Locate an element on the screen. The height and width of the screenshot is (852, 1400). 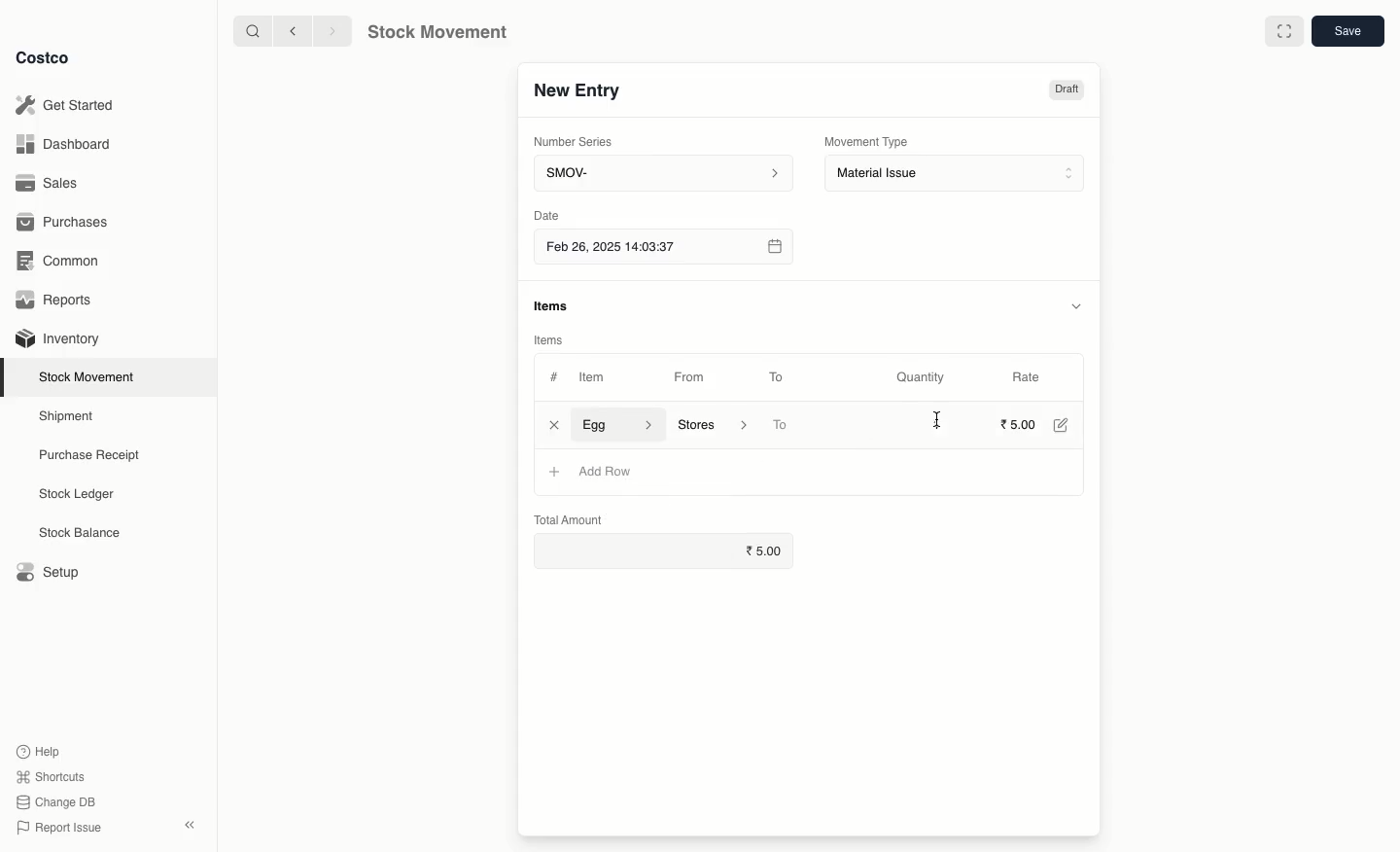
Material Issue is located at coordinates (957, 174).